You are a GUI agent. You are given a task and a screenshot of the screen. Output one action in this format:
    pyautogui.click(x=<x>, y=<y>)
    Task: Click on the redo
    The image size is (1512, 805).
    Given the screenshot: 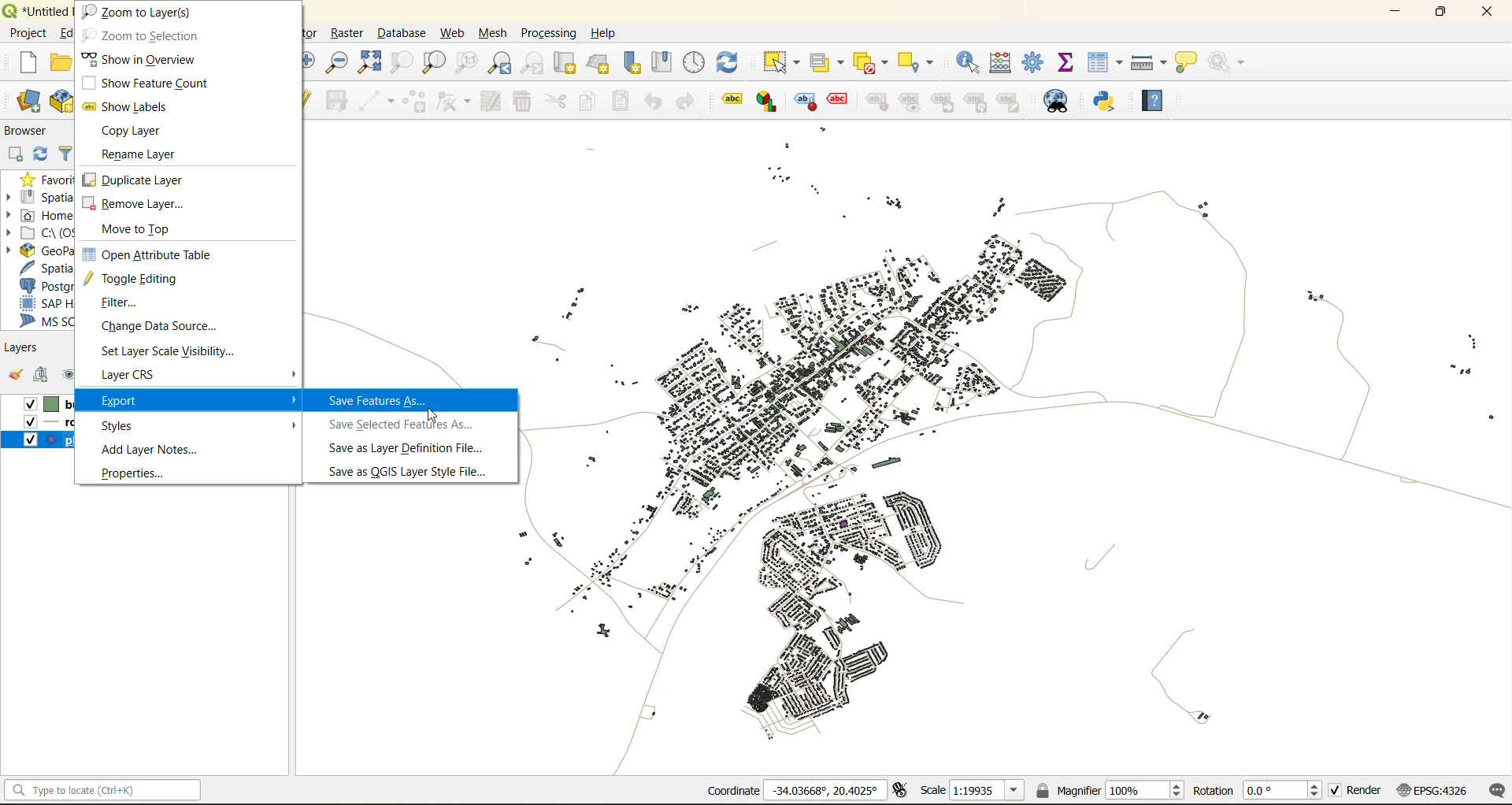 What is the action you would take?
    pyautogui.click(x=684, y=101)
    